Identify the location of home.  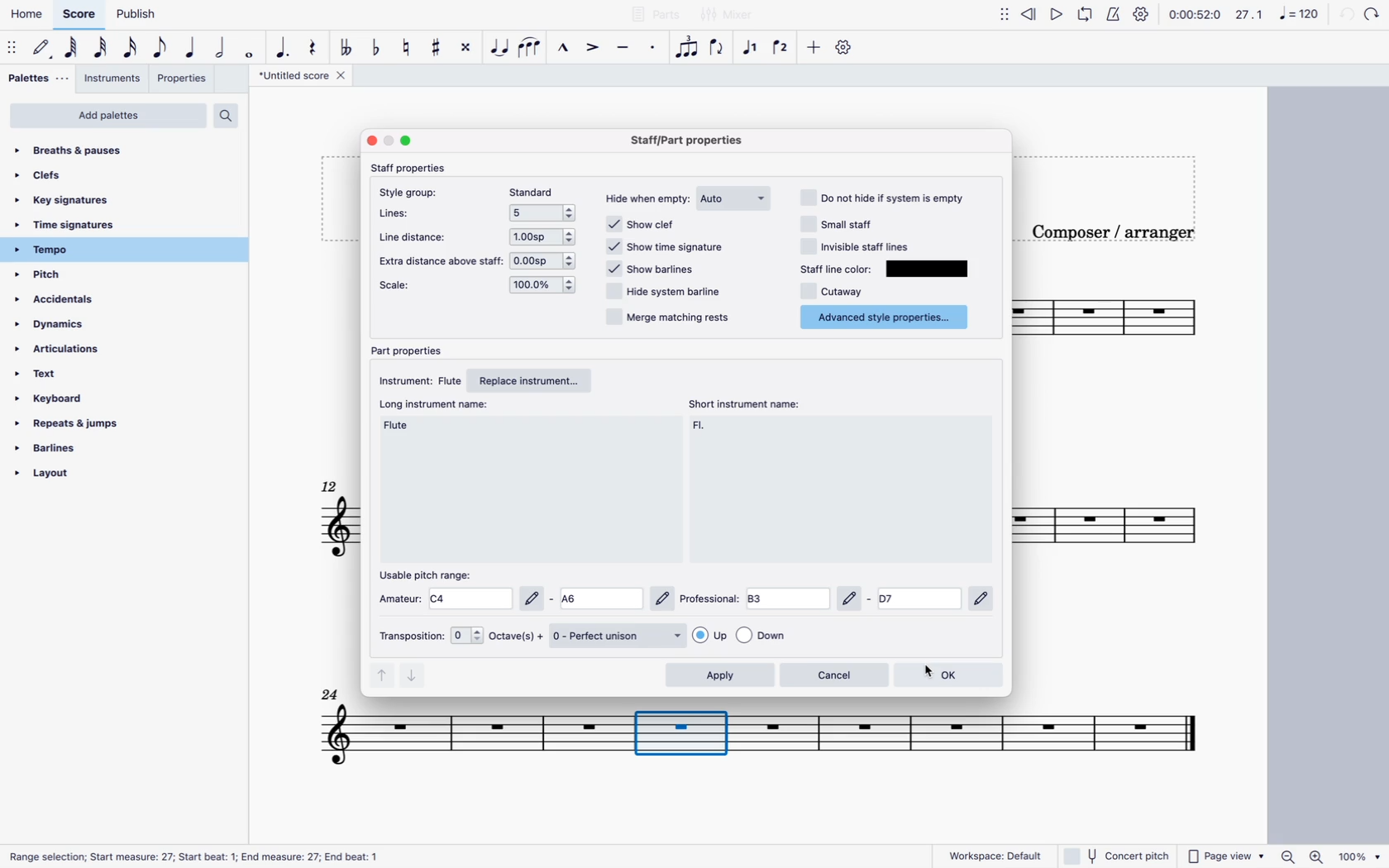
(29, 13).